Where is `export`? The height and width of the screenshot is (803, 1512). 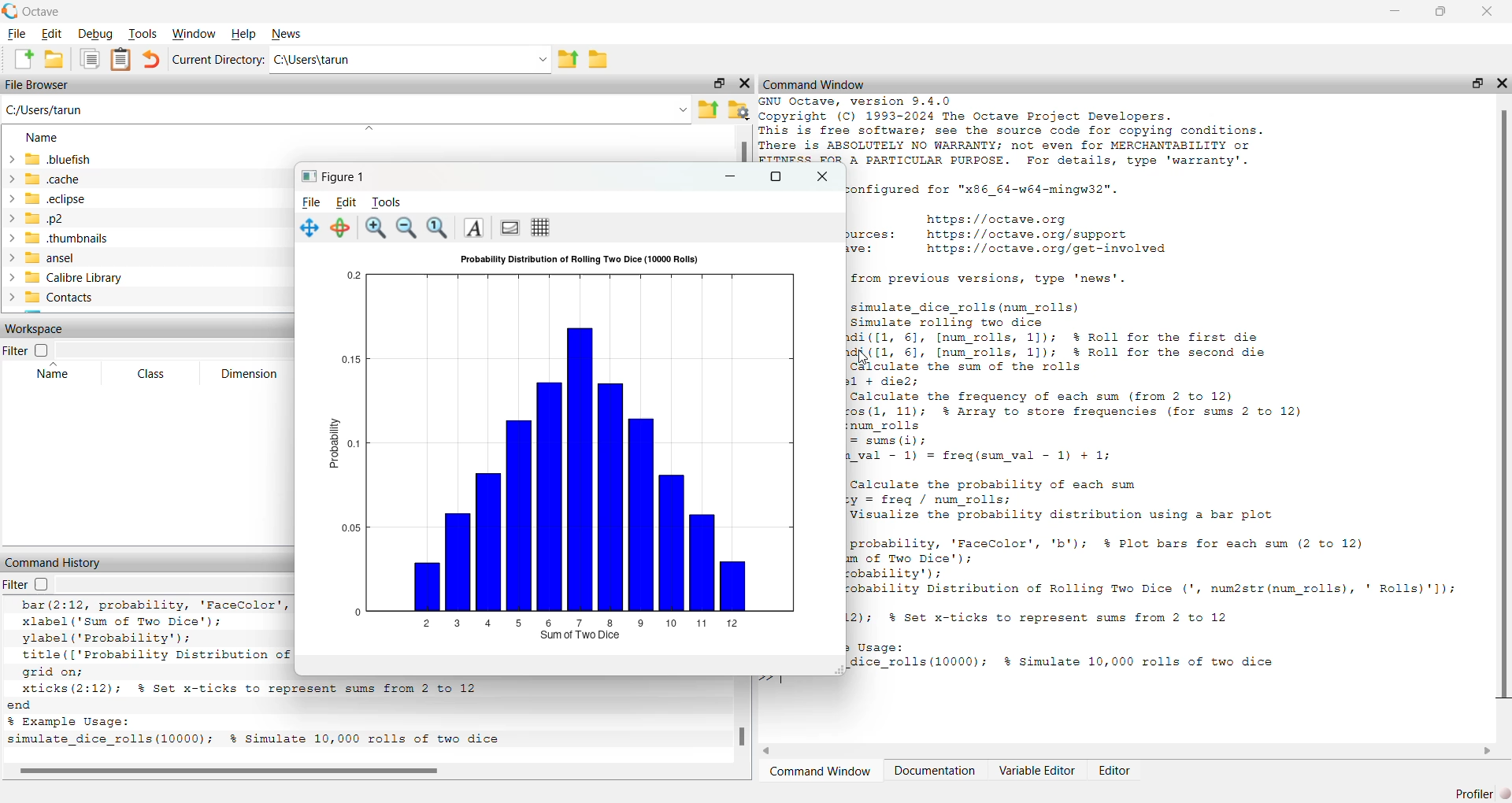
export is located at coordinates (571, 60).